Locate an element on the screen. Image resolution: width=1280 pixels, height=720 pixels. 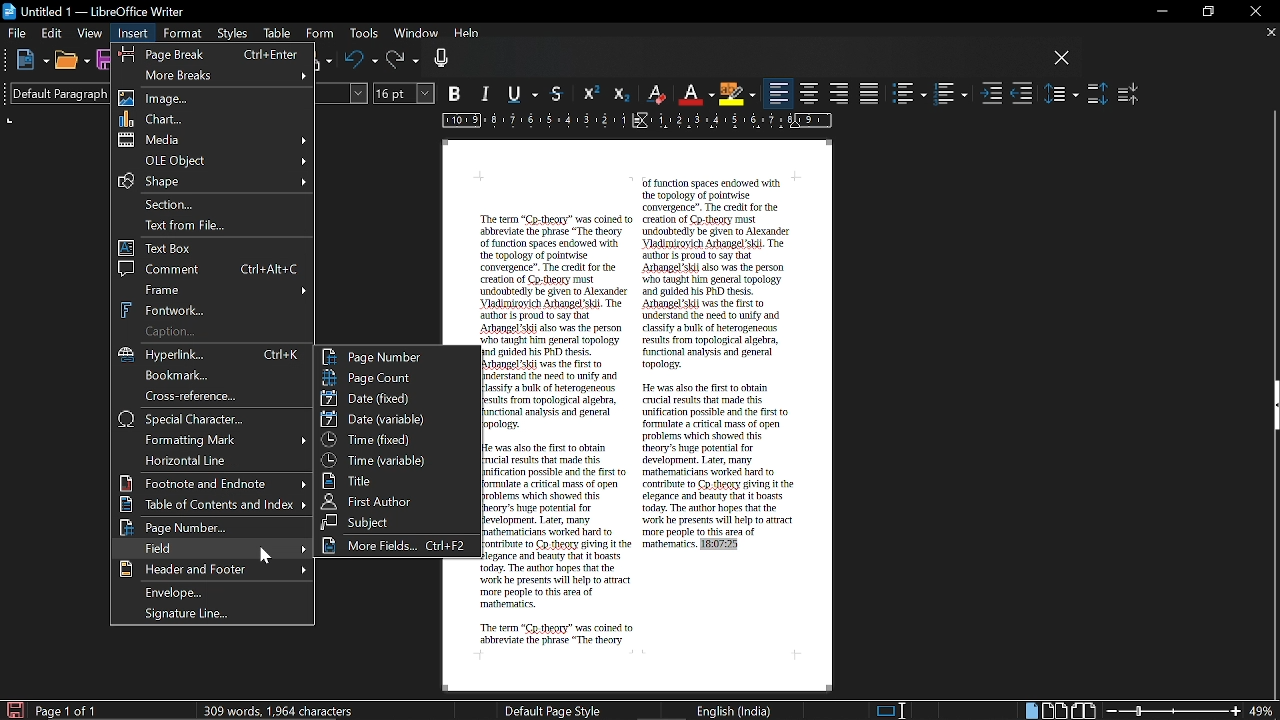
Media is located at coordinates (215, 140).